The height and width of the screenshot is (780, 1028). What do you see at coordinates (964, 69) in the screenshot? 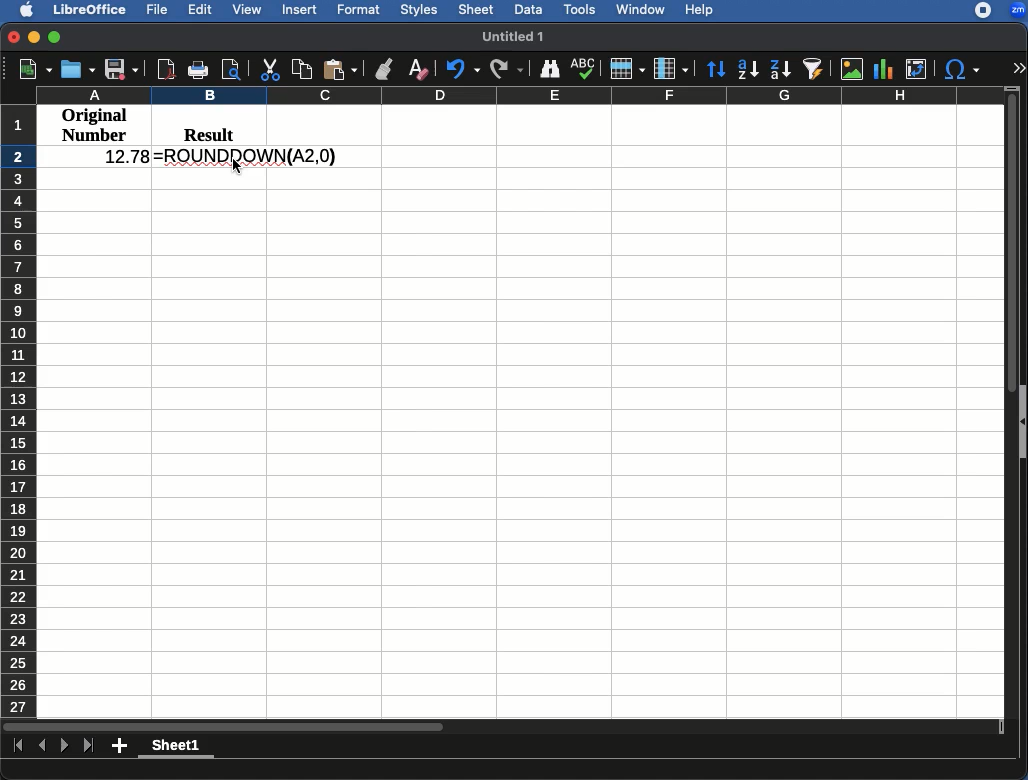
I see `Special characters` at bounding box center [964, 69].